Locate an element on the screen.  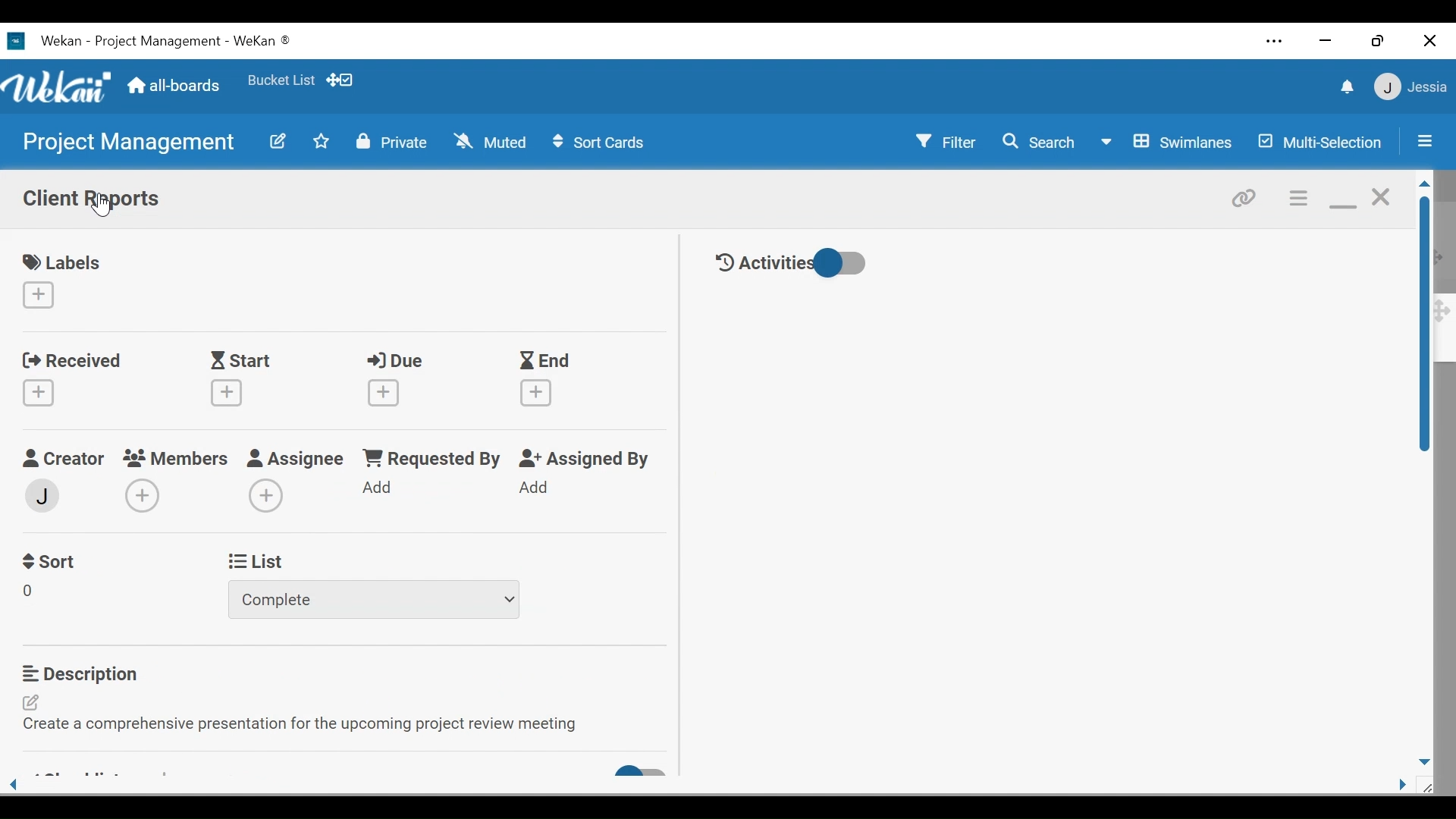
Board Title is located at coordinates (129, 145).